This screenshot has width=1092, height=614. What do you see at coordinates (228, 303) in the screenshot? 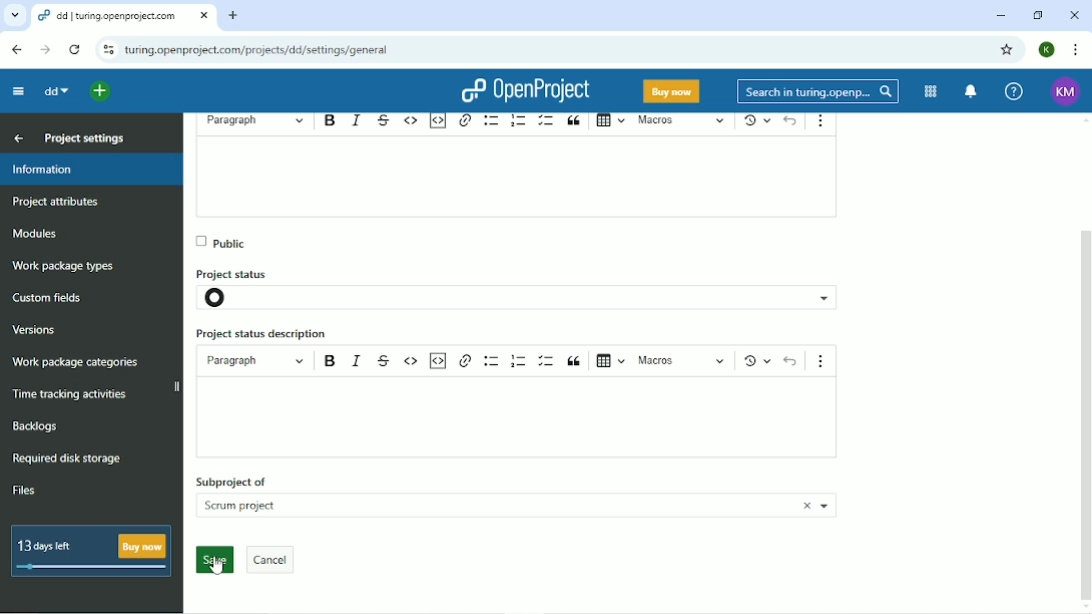
I see `project status icon- not set` at bounding box center [228, 303].